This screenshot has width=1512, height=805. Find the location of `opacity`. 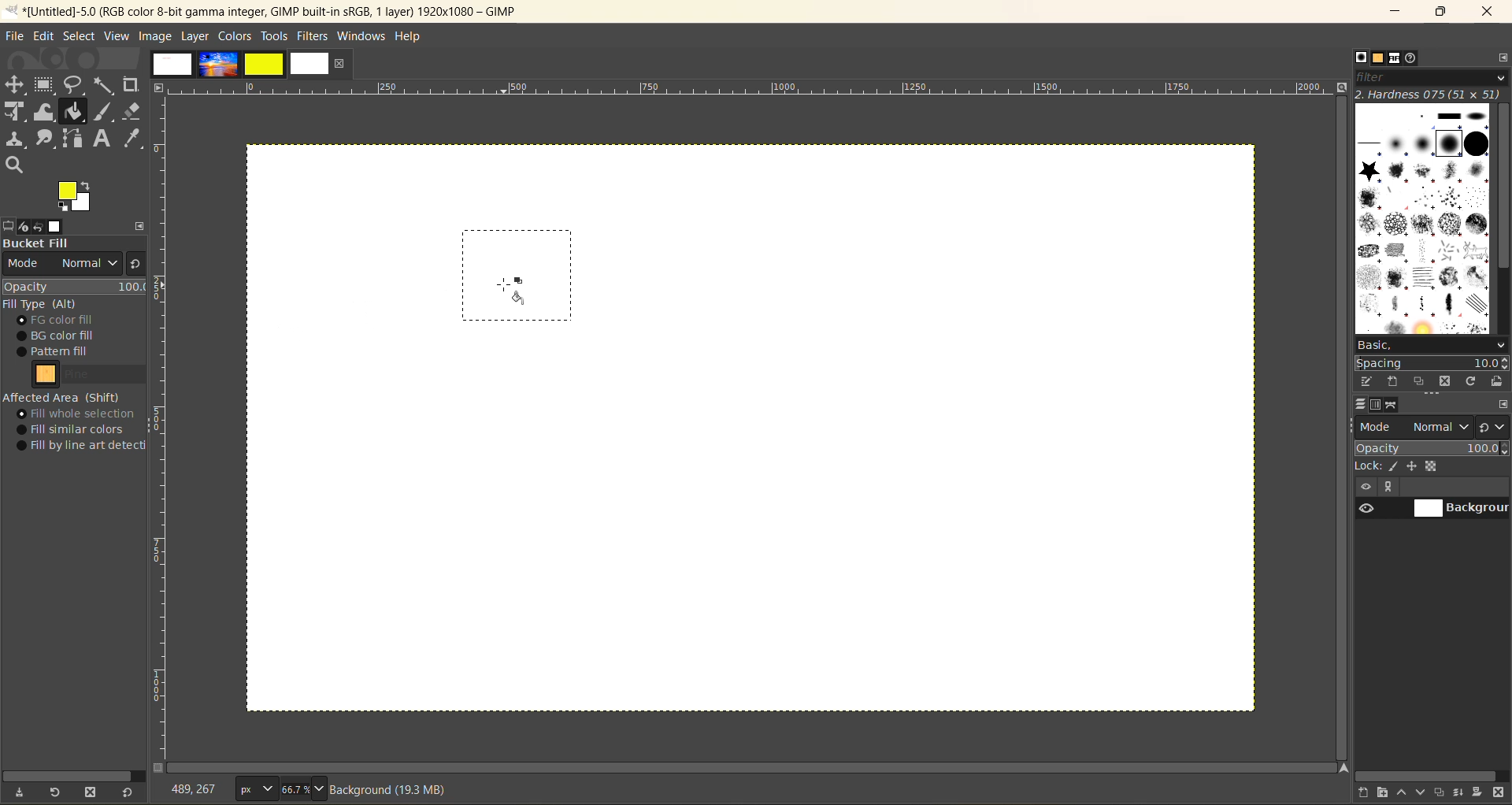

opacity is located at coordinates (75, 287).